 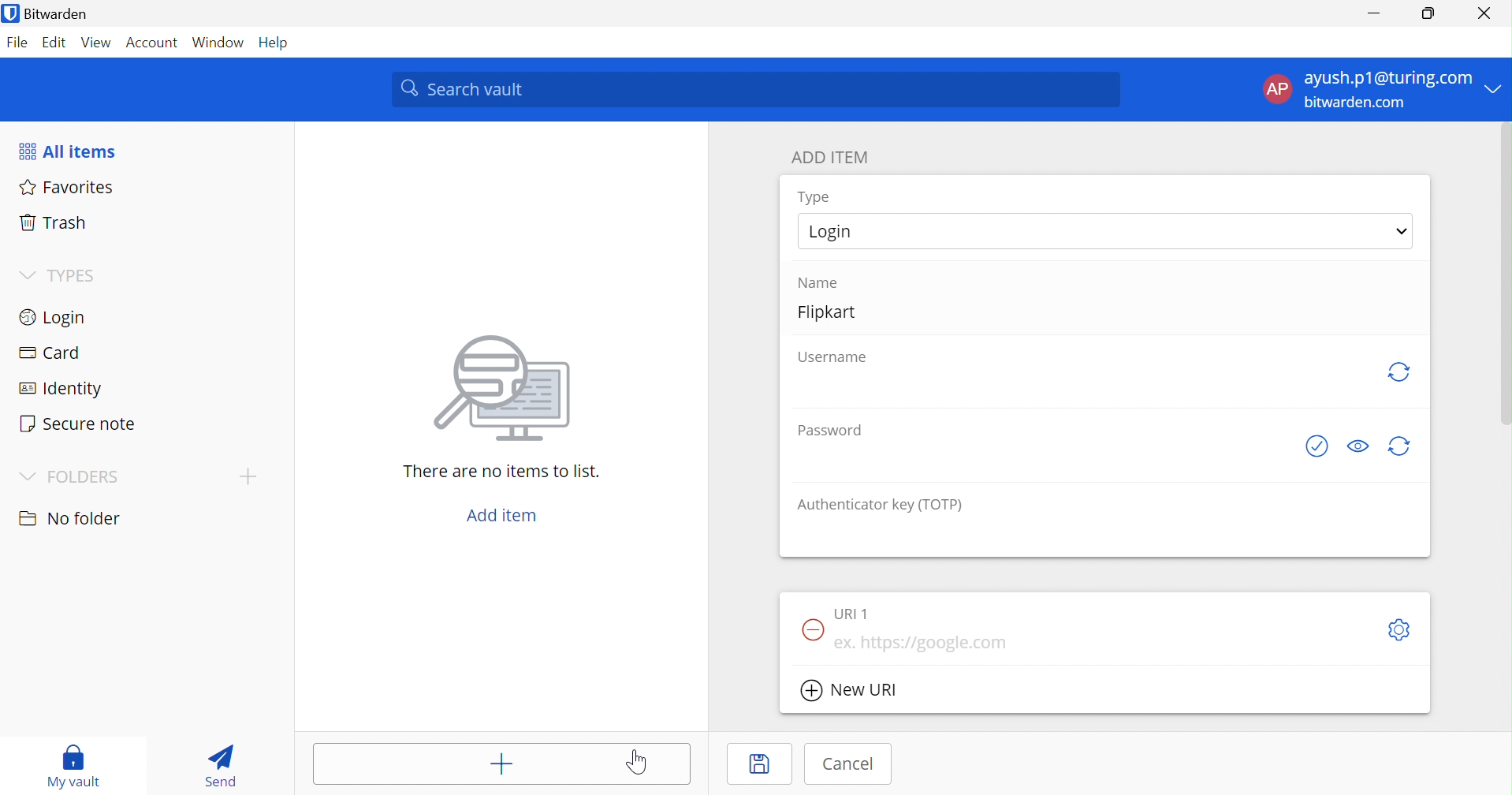 I want to click on bitwarden.com, so click(x=1362, y=104).